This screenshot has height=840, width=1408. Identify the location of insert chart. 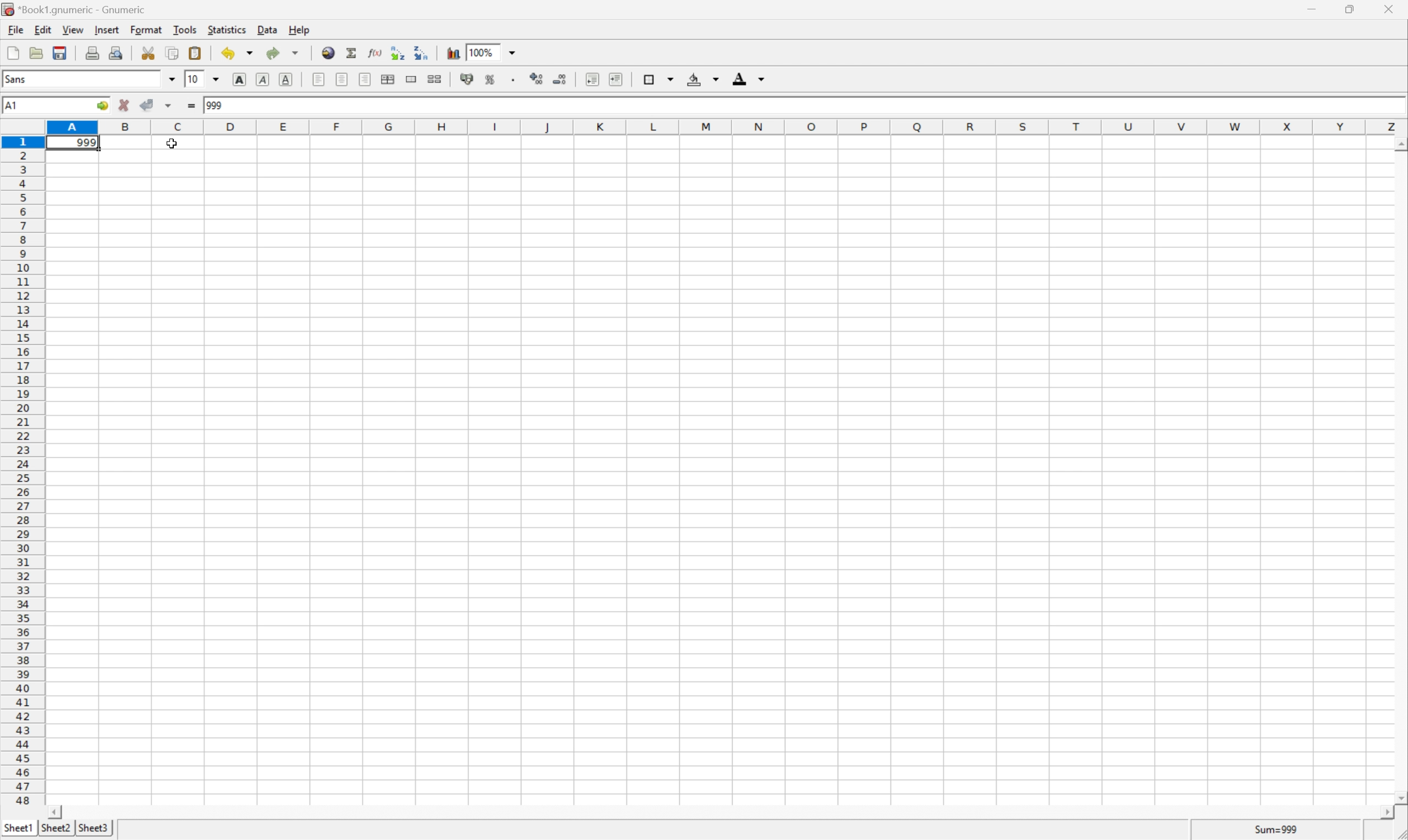
(452, 53).